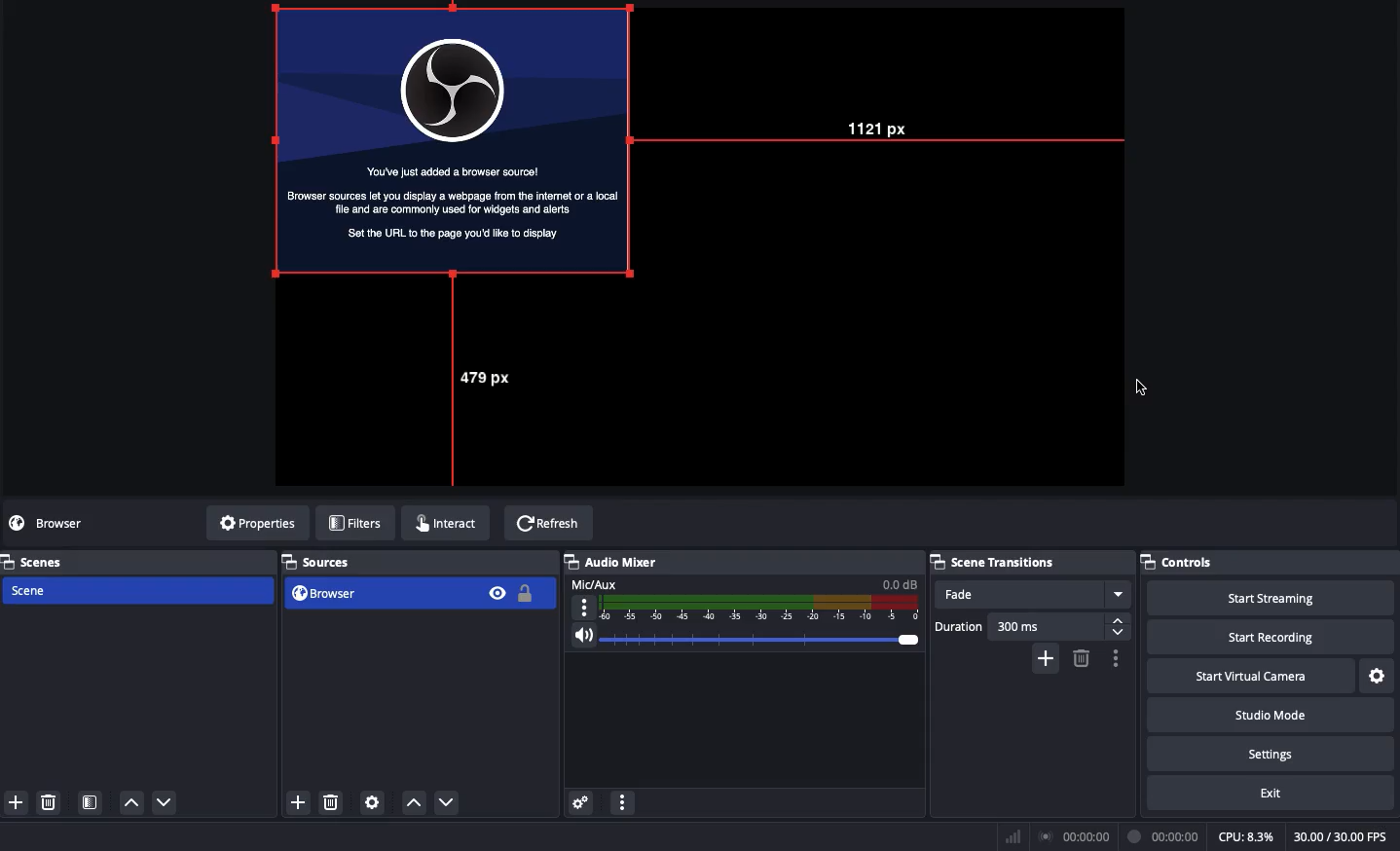  Describe the element at coordinates (1271, 753) in the screenshot. I see `Settings` at that location.